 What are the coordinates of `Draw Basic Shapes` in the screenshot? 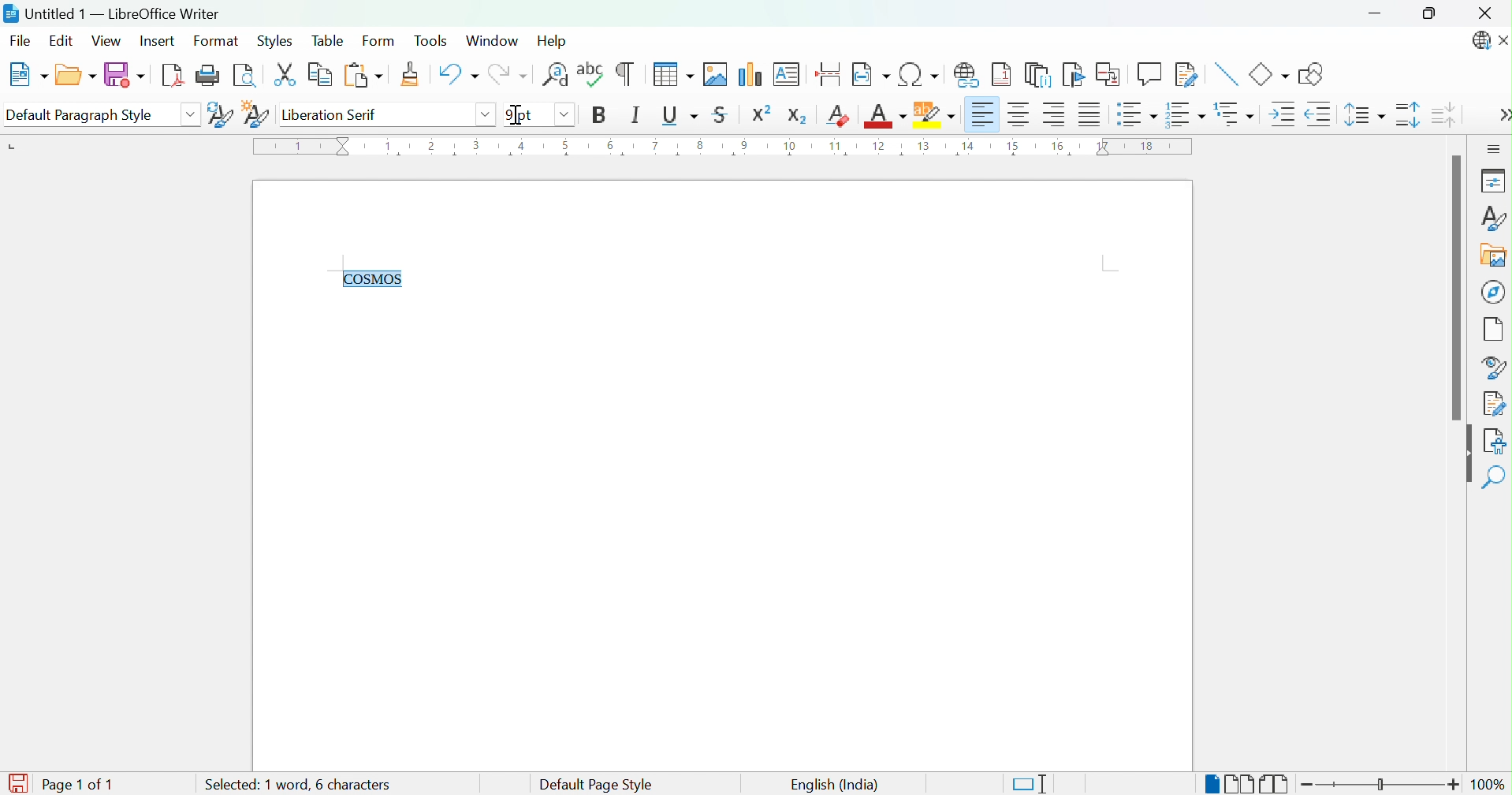 It's located at (1312, 74).